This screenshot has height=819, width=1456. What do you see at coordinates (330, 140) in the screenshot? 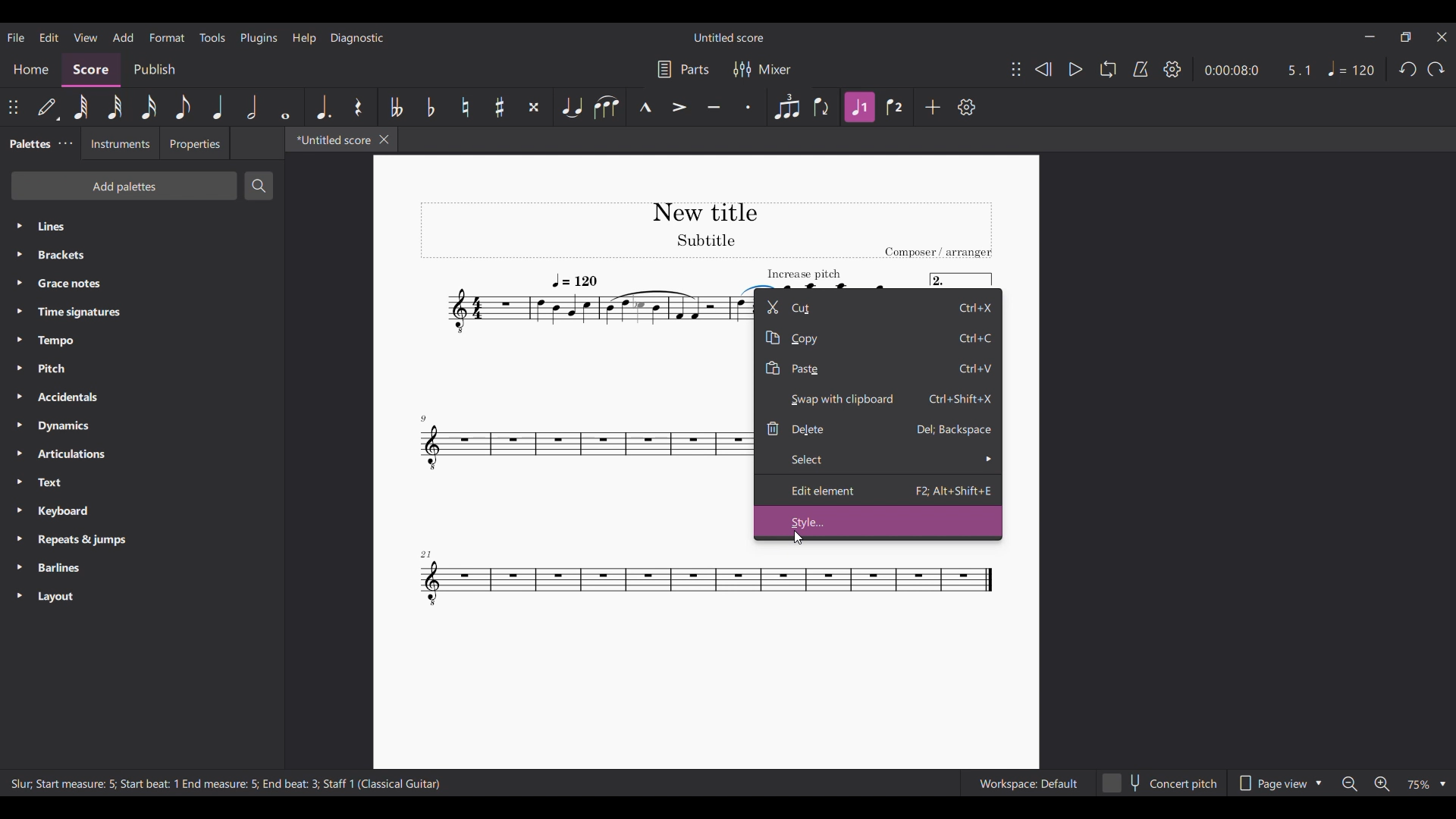
I see `*Untitled score, current tab` at bounding box center [330, 140].